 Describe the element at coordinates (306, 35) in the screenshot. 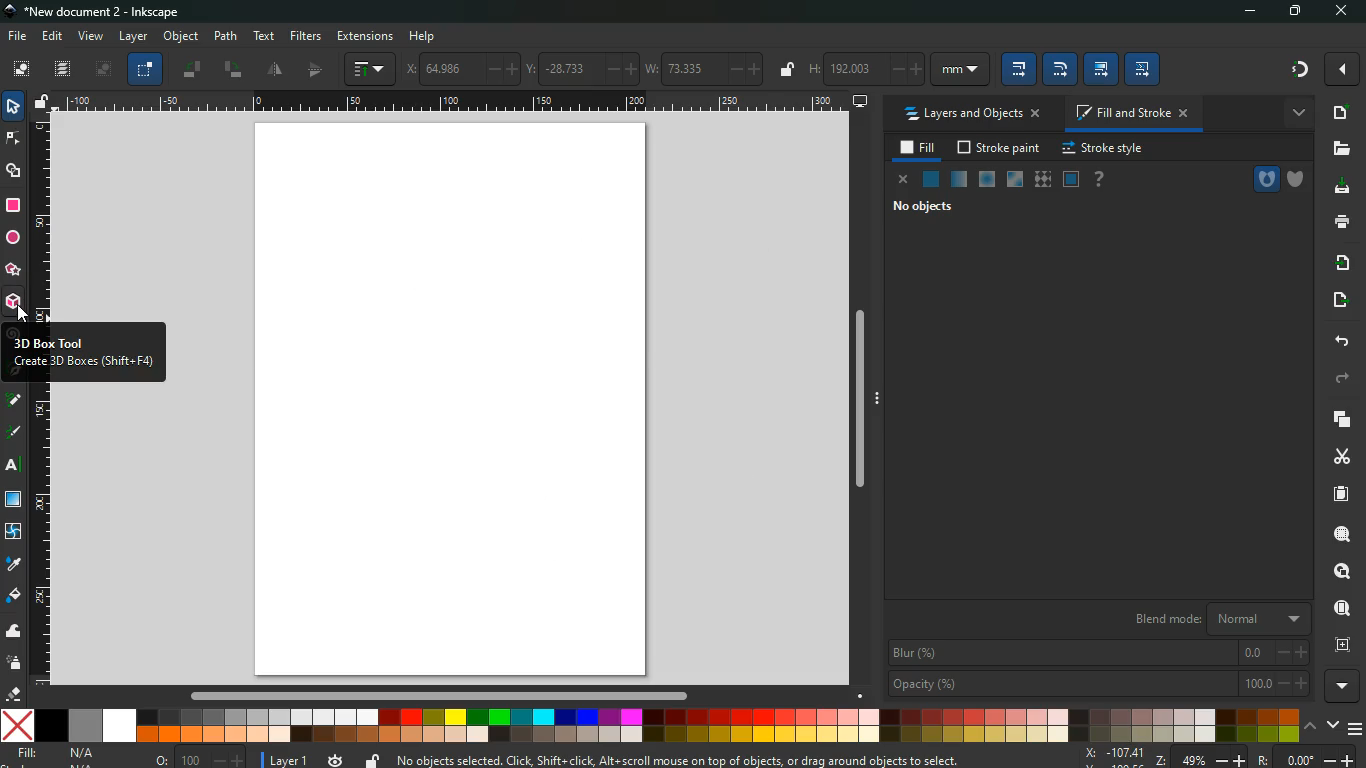

I see `filters` at that location.